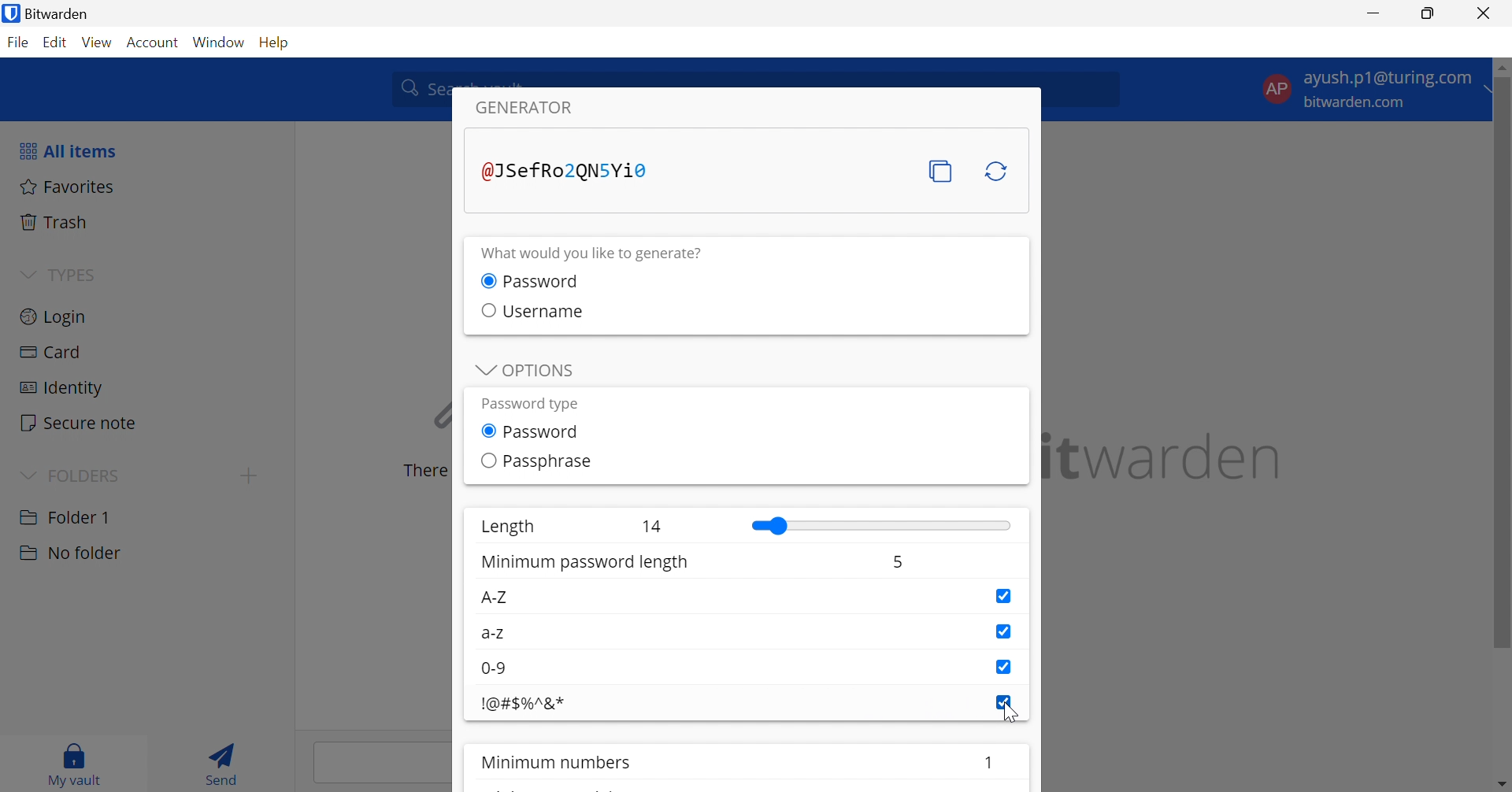 The width and height of the screenshot is (1512, 792). I want to click on 0-9, so click(498, 668).